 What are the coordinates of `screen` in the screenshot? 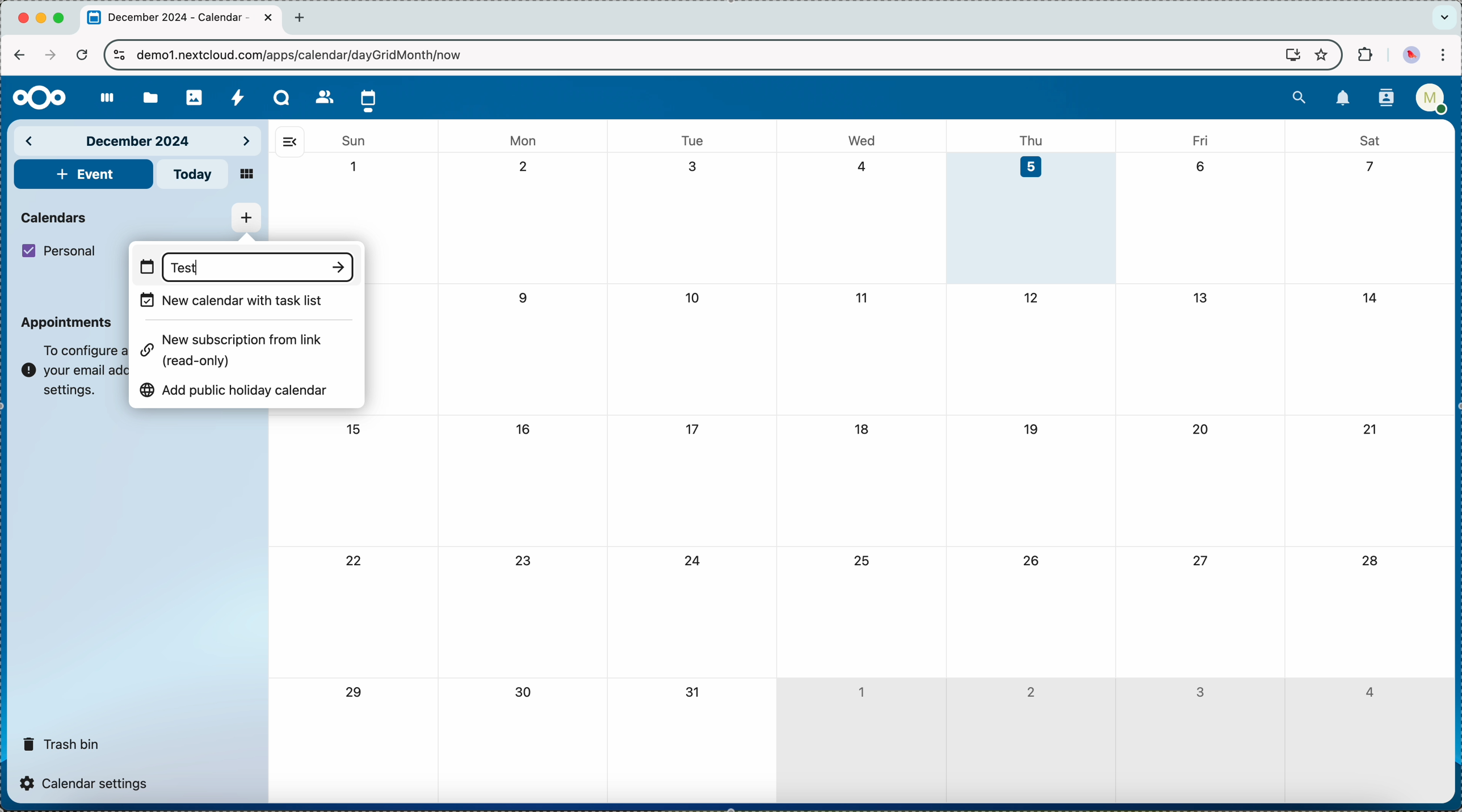 It's located at (1287, 56).